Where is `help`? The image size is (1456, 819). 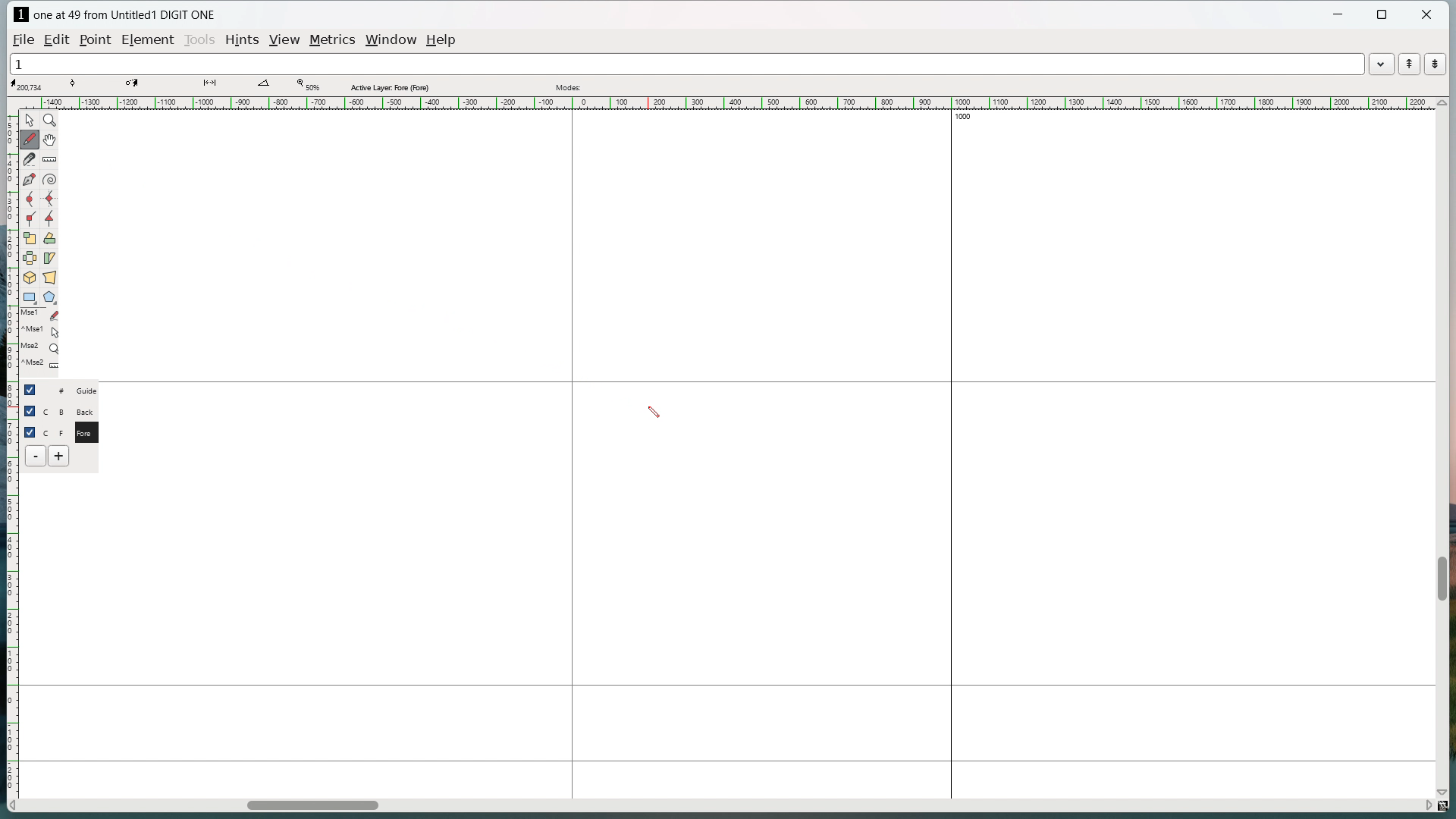
help is located at coordinates (442, 40).